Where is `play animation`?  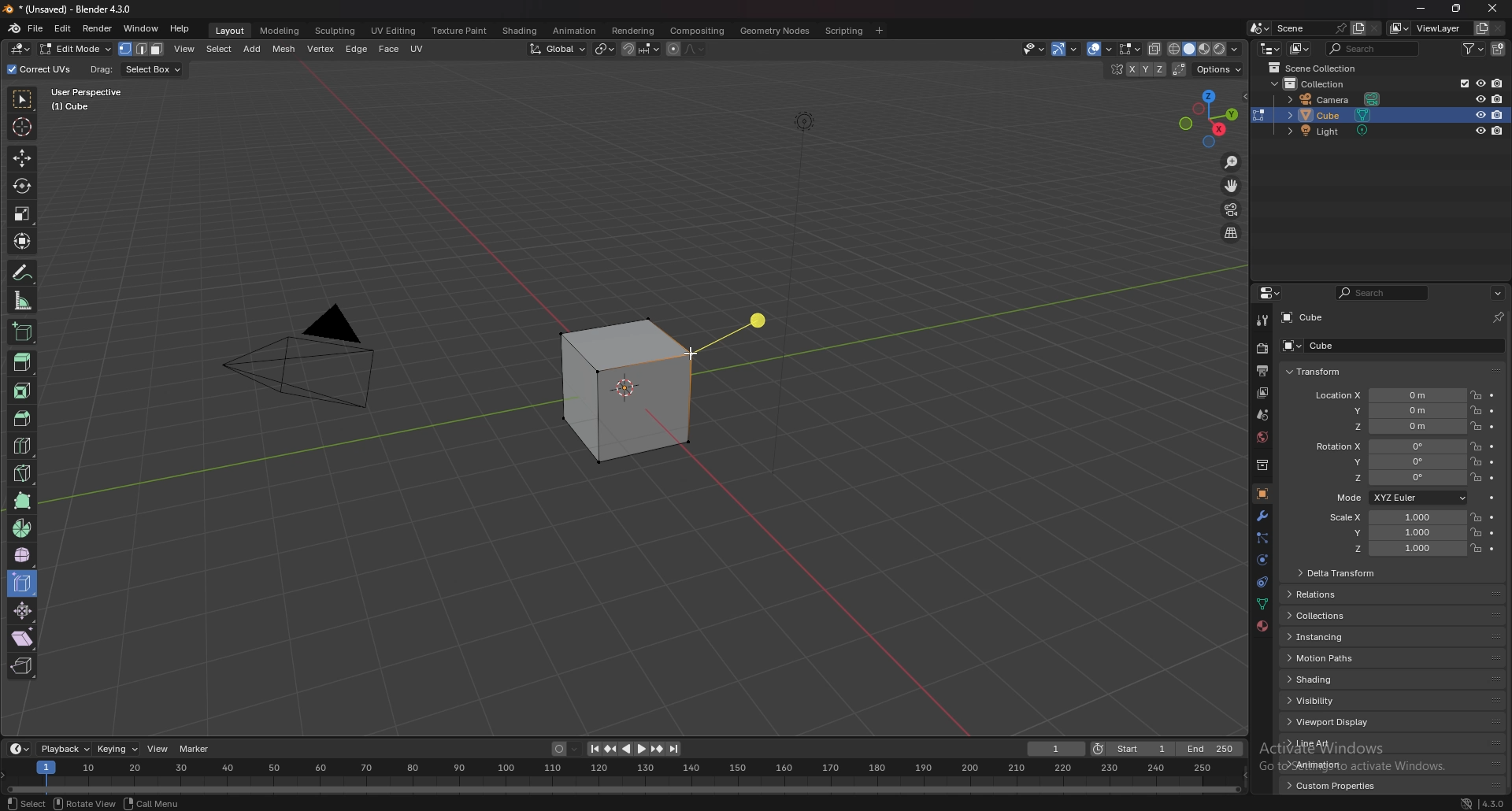
play animation is located at coordinates (633, 748).